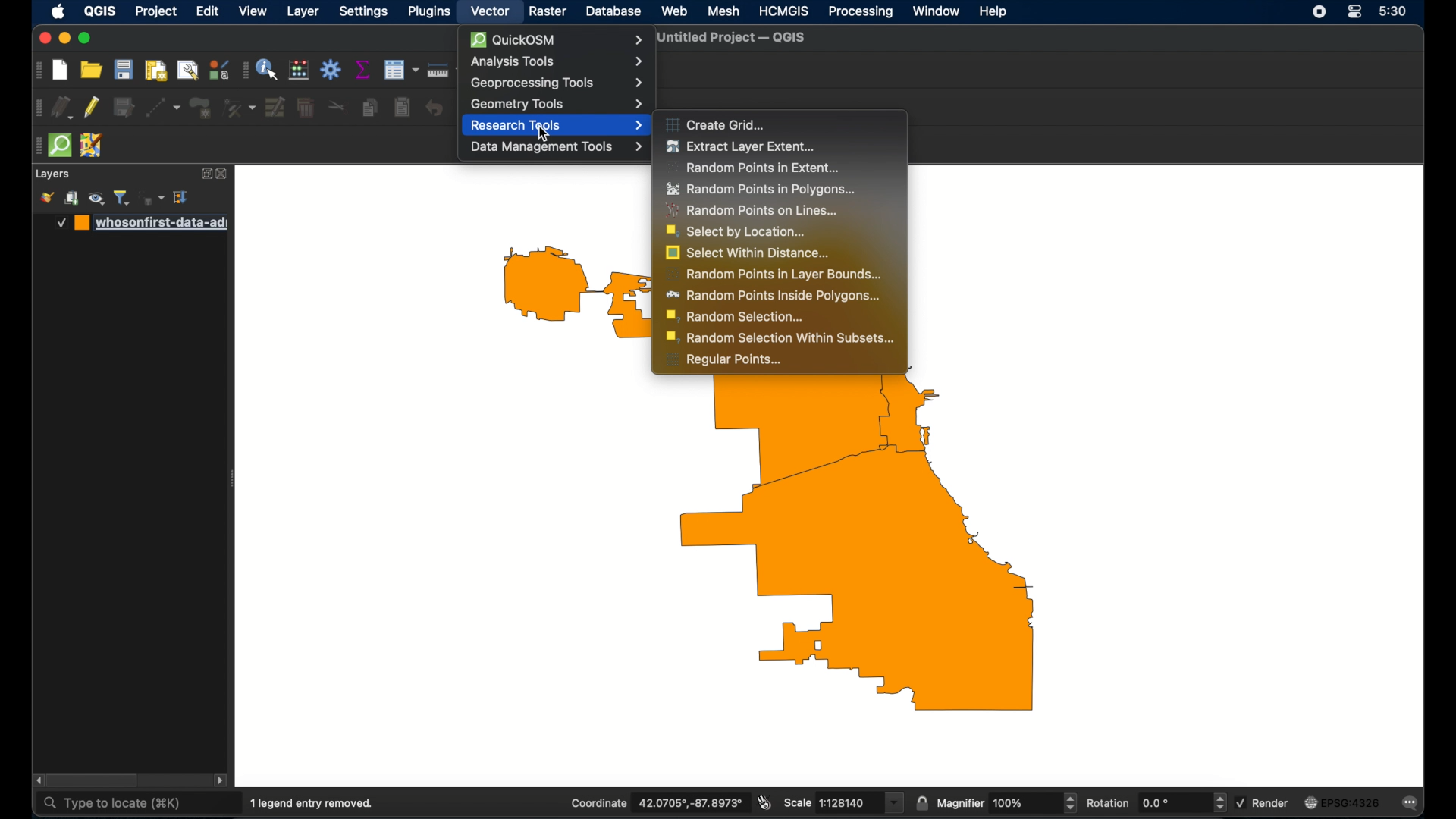 This screenshot has width=1456, height=819. What do you see at coordinates (34, 108) in the screenshot?
I see `drag handle` at bounding box center [34, 108].